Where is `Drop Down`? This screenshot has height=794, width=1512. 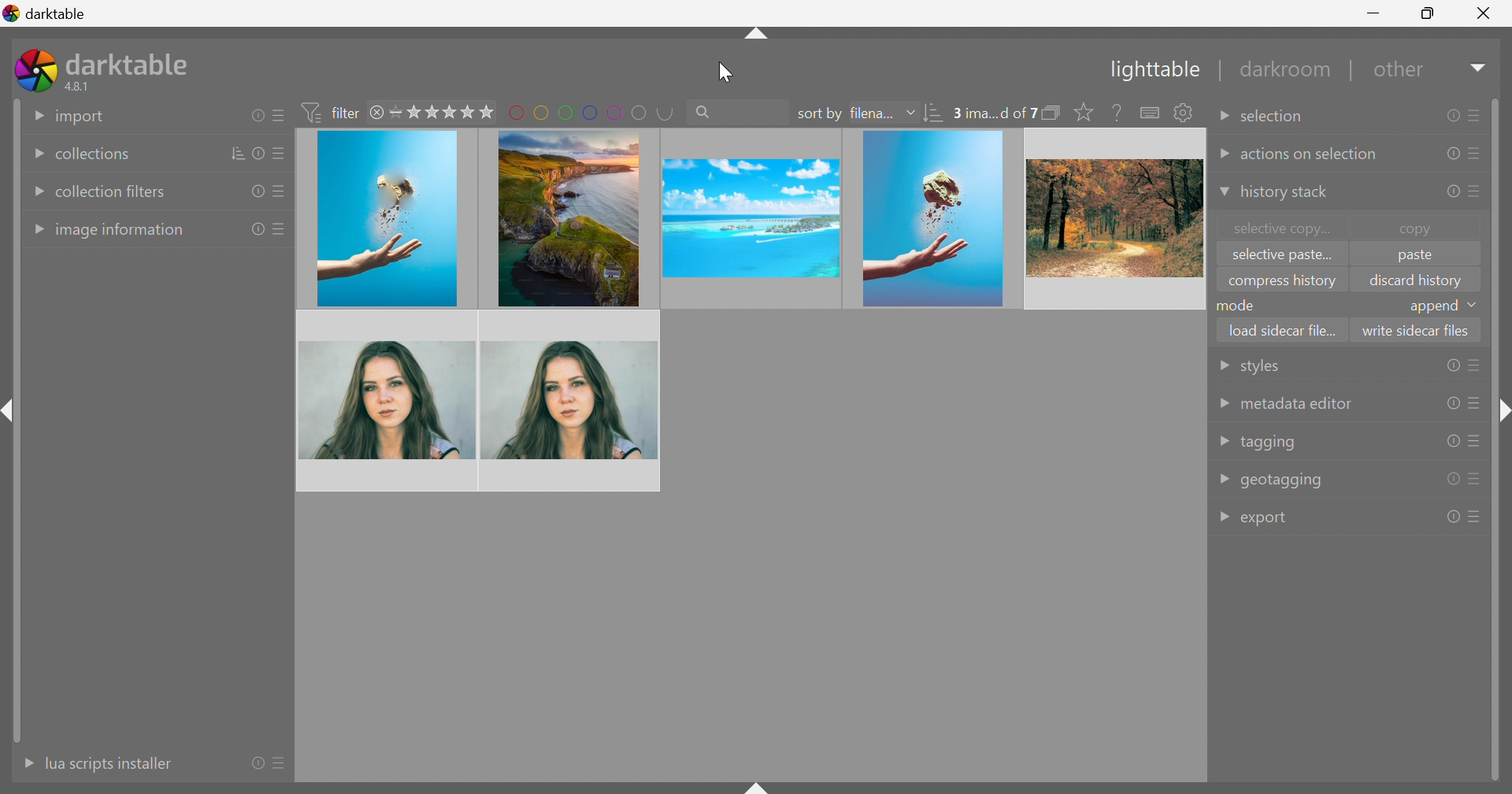 Drop Down is located at coordinates (35, 114).